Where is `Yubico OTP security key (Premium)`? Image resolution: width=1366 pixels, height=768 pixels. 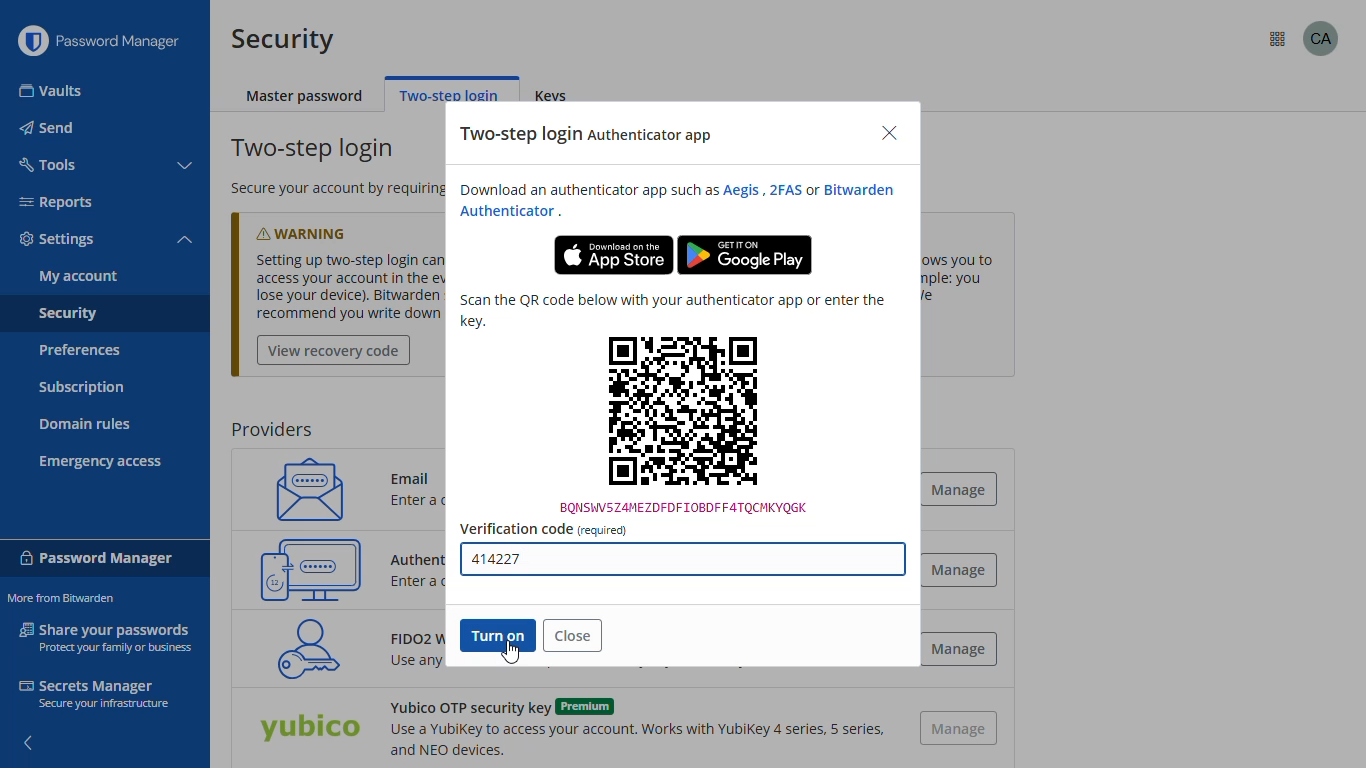
Yubico OTP security key (Premium) is located at coordinates (309, 730).